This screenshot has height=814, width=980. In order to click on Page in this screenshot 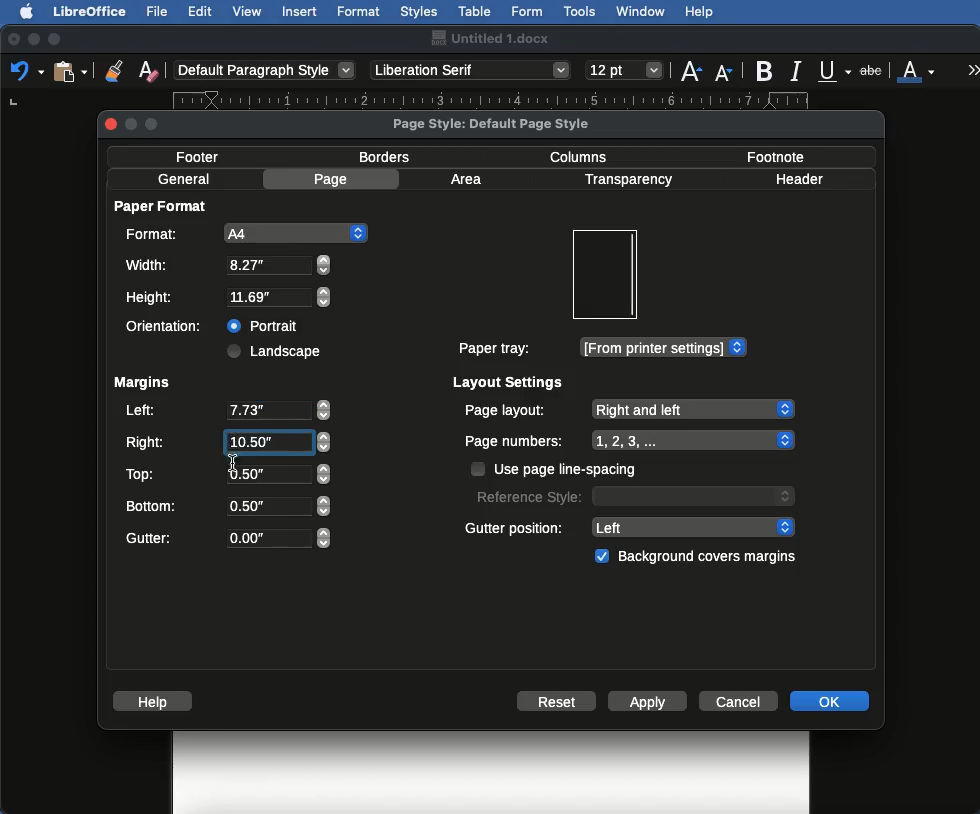, I will do `click(334, 179)`.